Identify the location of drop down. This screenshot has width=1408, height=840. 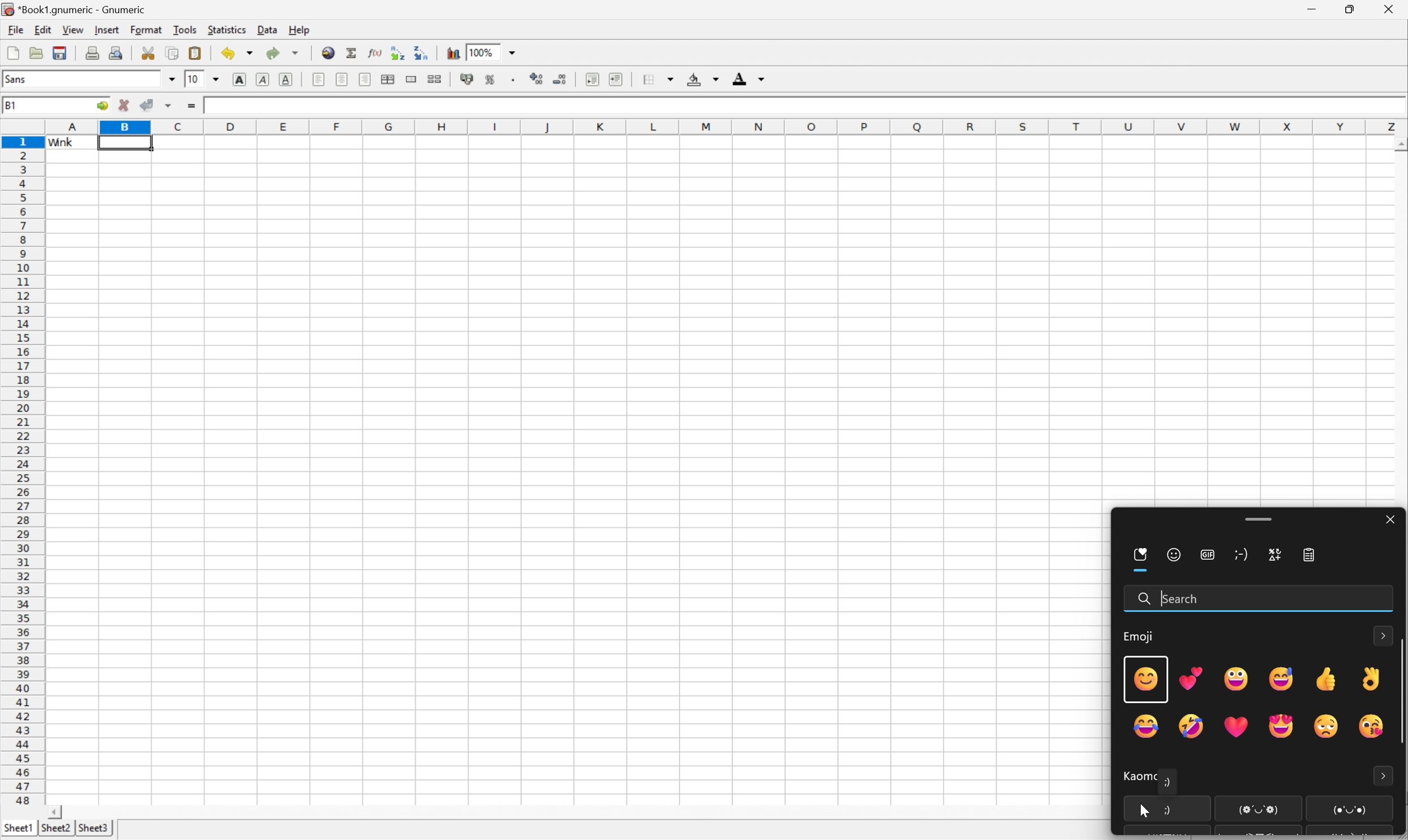
(216, 78).